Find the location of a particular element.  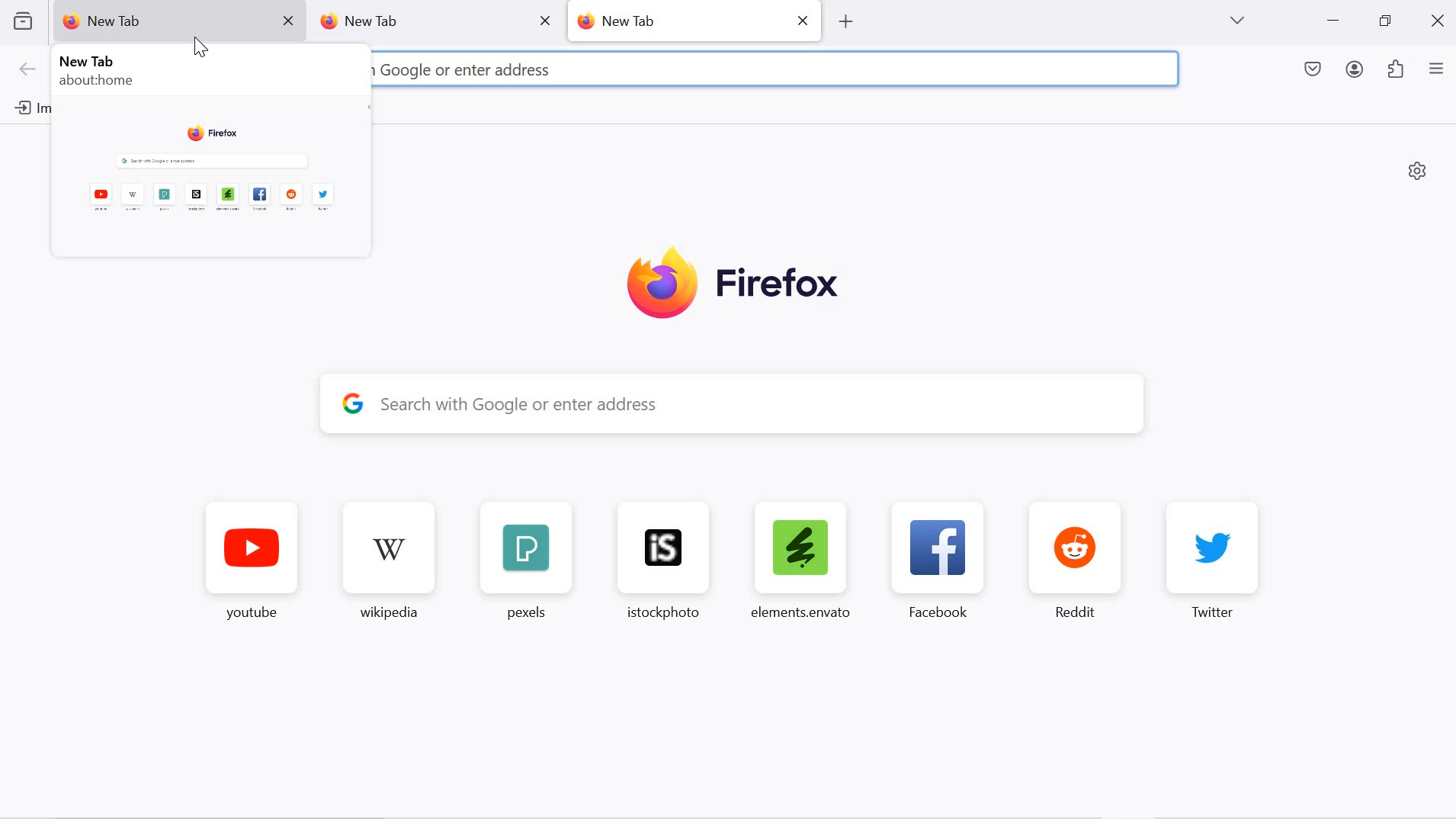

minimize is located at coordinates (1333, 22).